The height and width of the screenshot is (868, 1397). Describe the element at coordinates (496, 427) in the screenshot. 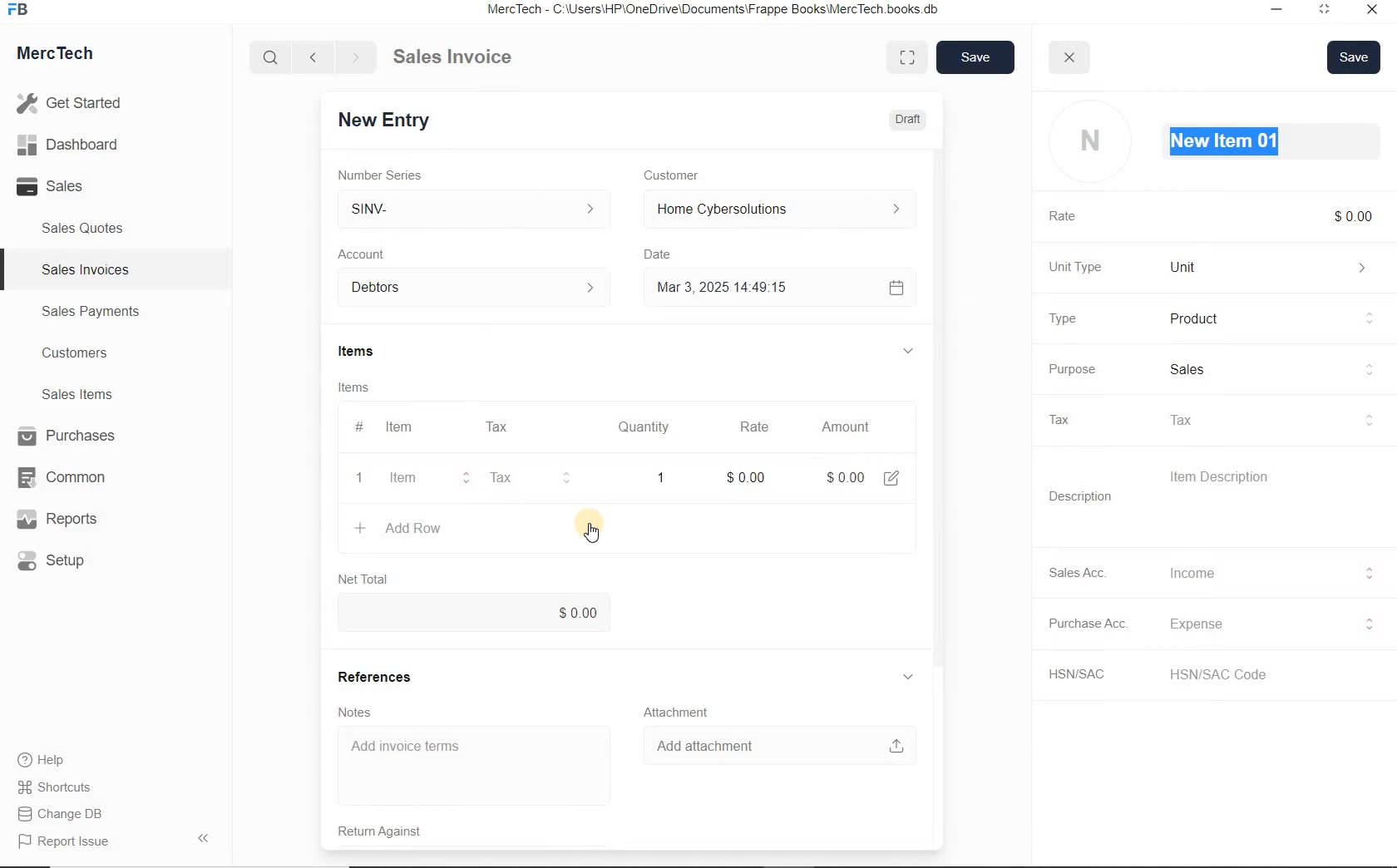

I see `Tax` at that location.